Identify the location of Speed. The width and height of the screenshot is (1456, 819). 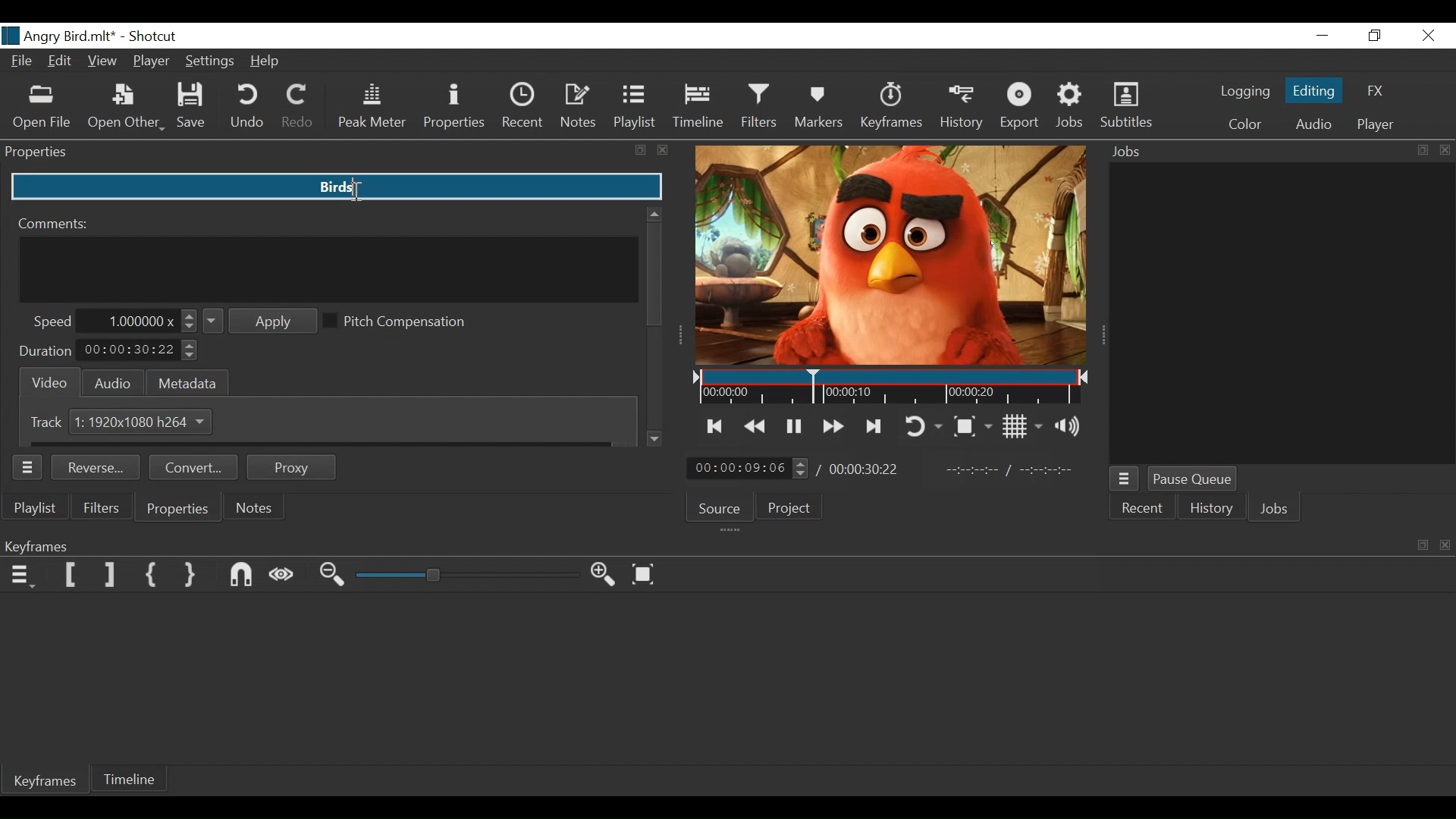
(52, 322).